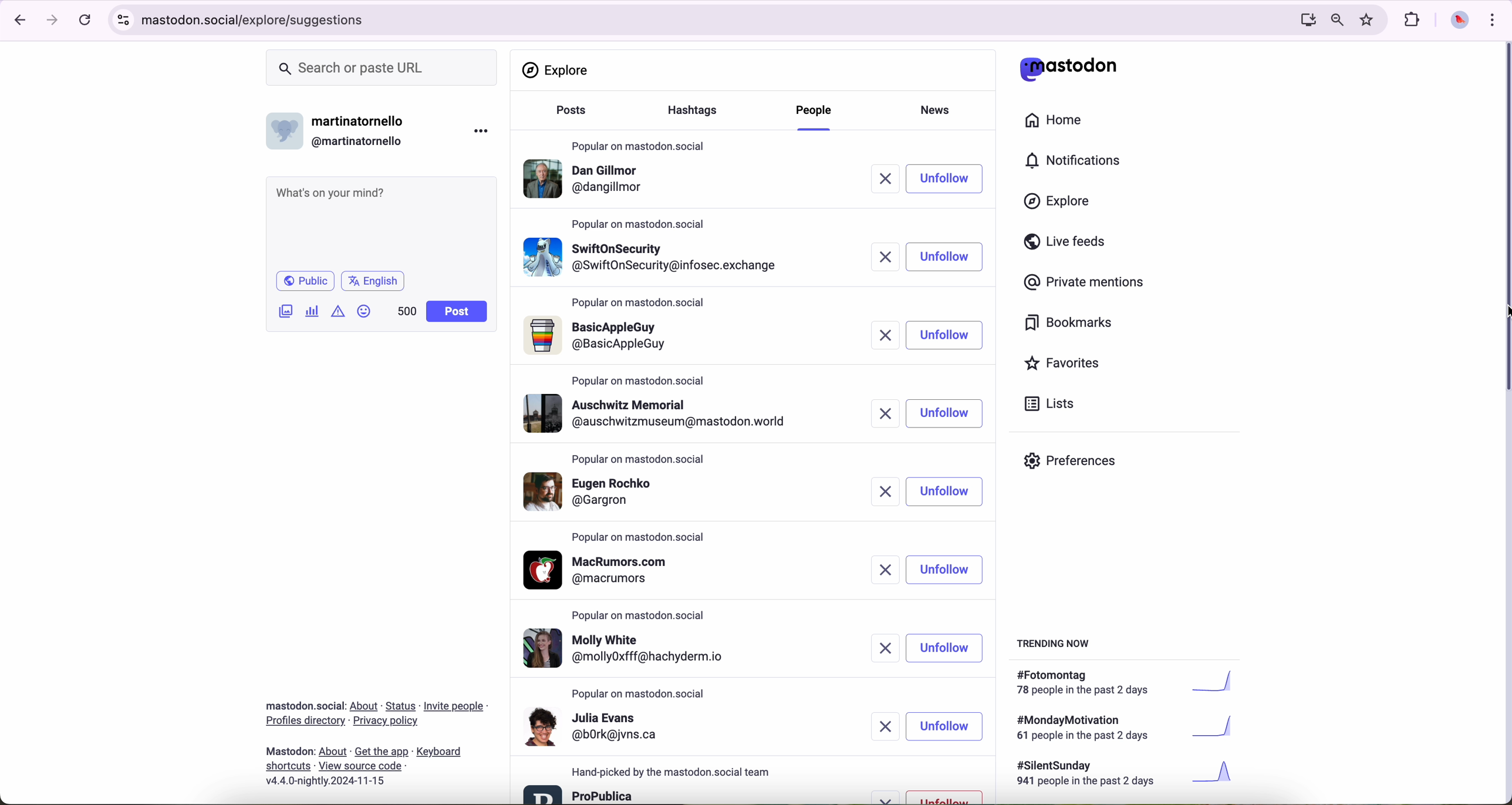 The image size is (1512, 805). I want to click on profile, so click(603, 490).